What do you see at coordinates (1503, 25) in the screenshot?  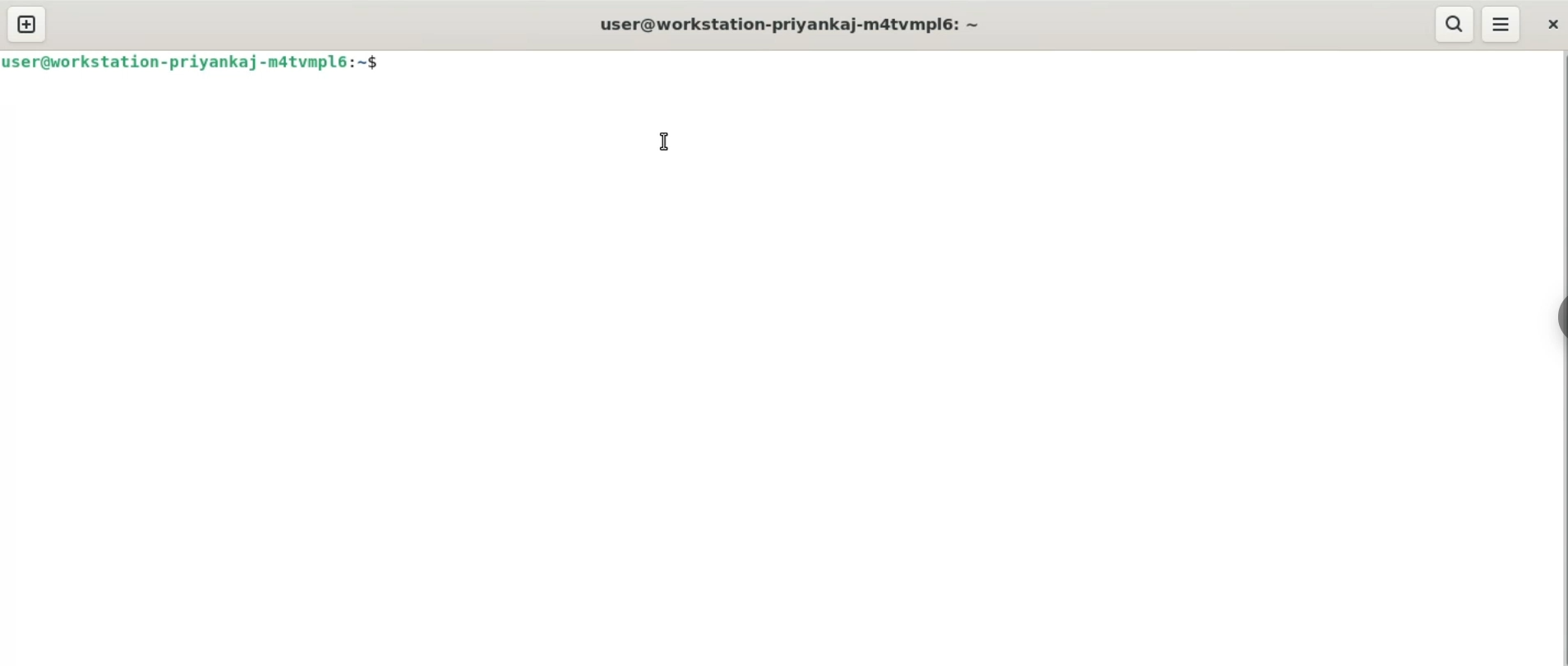 I see `menu` at bounding box center [1503, 25].